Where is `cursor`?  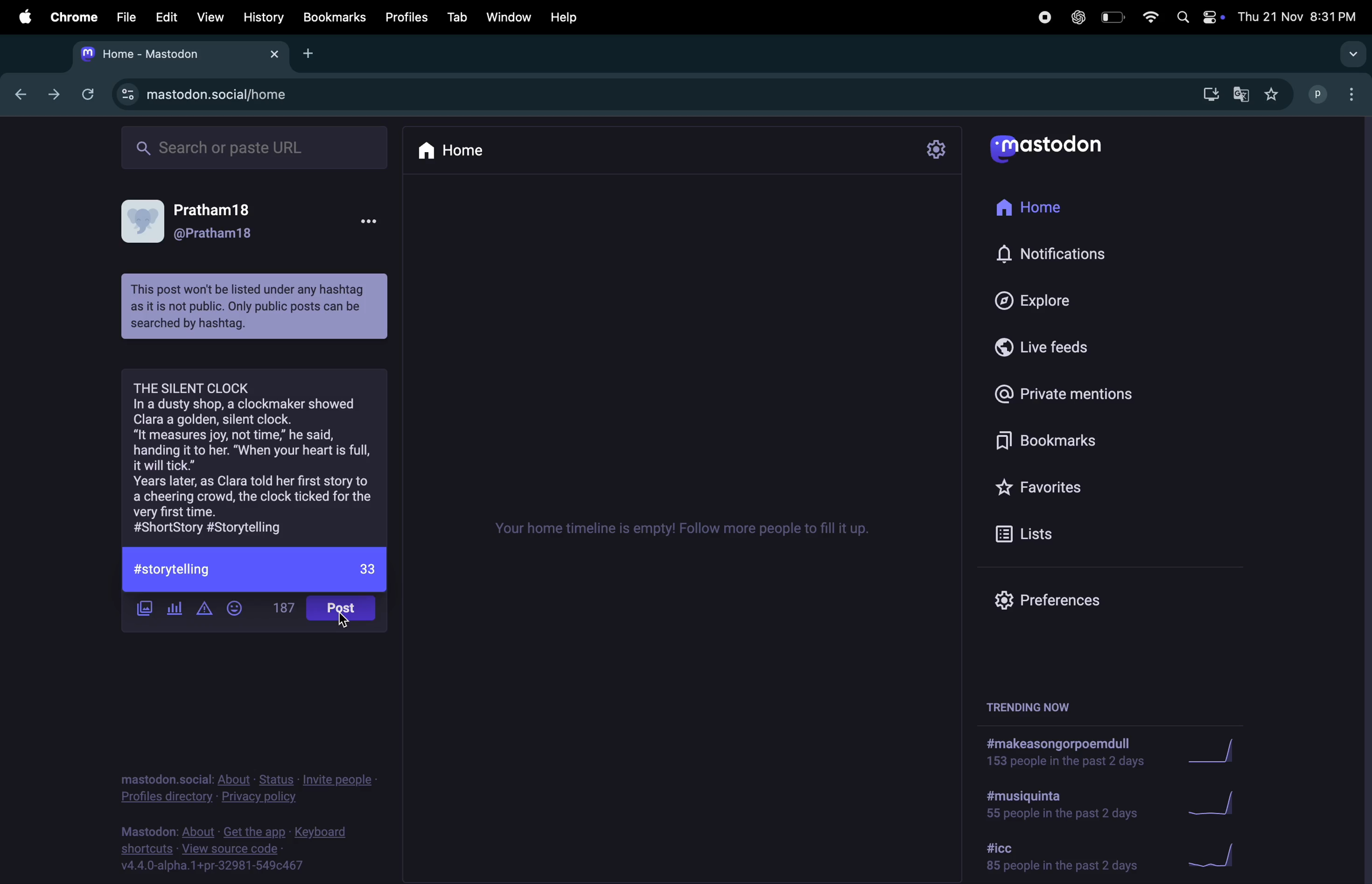
cursor is located at coordinates (343, 625).